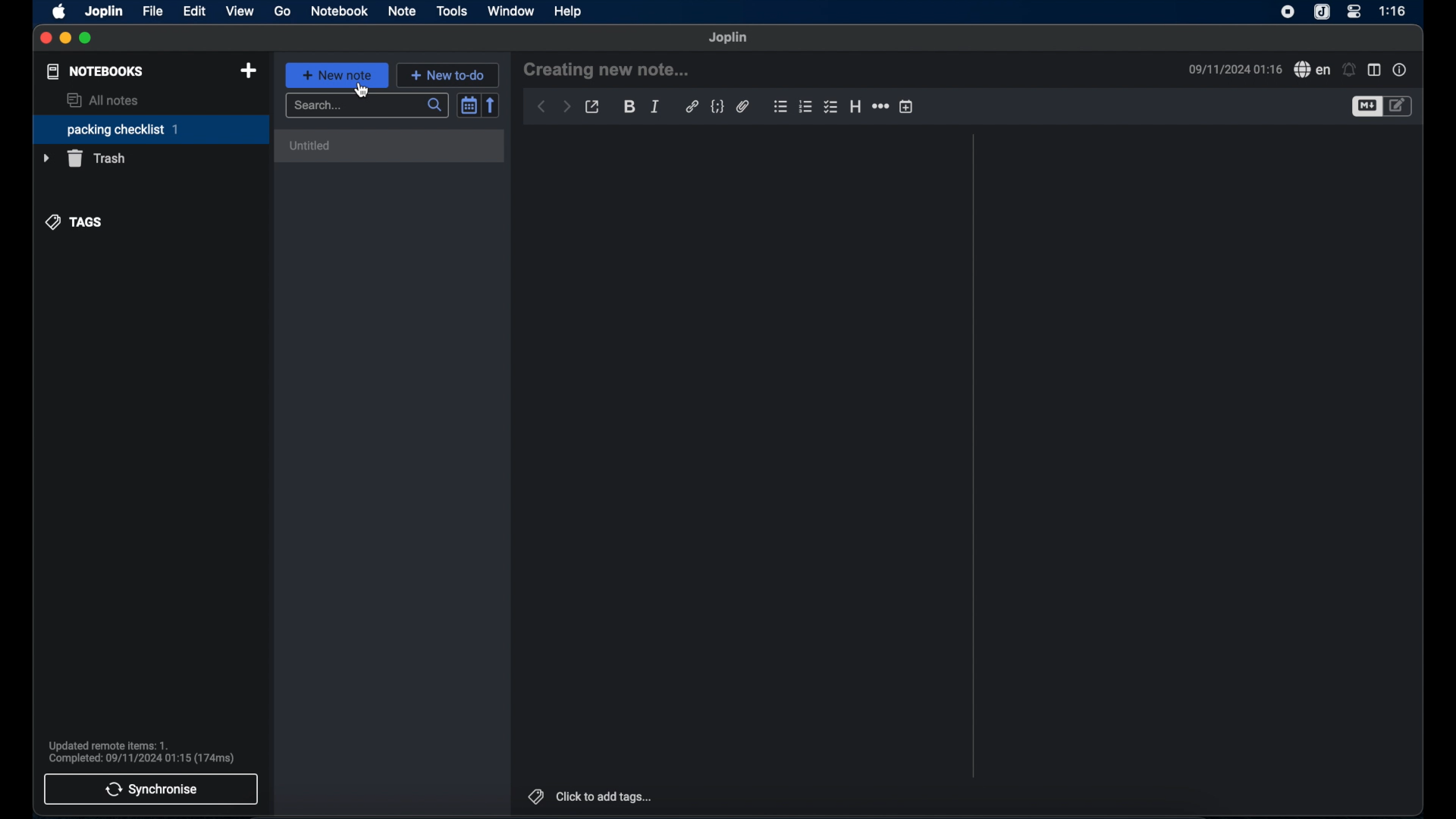  I want to click on window, so click(510, 11).